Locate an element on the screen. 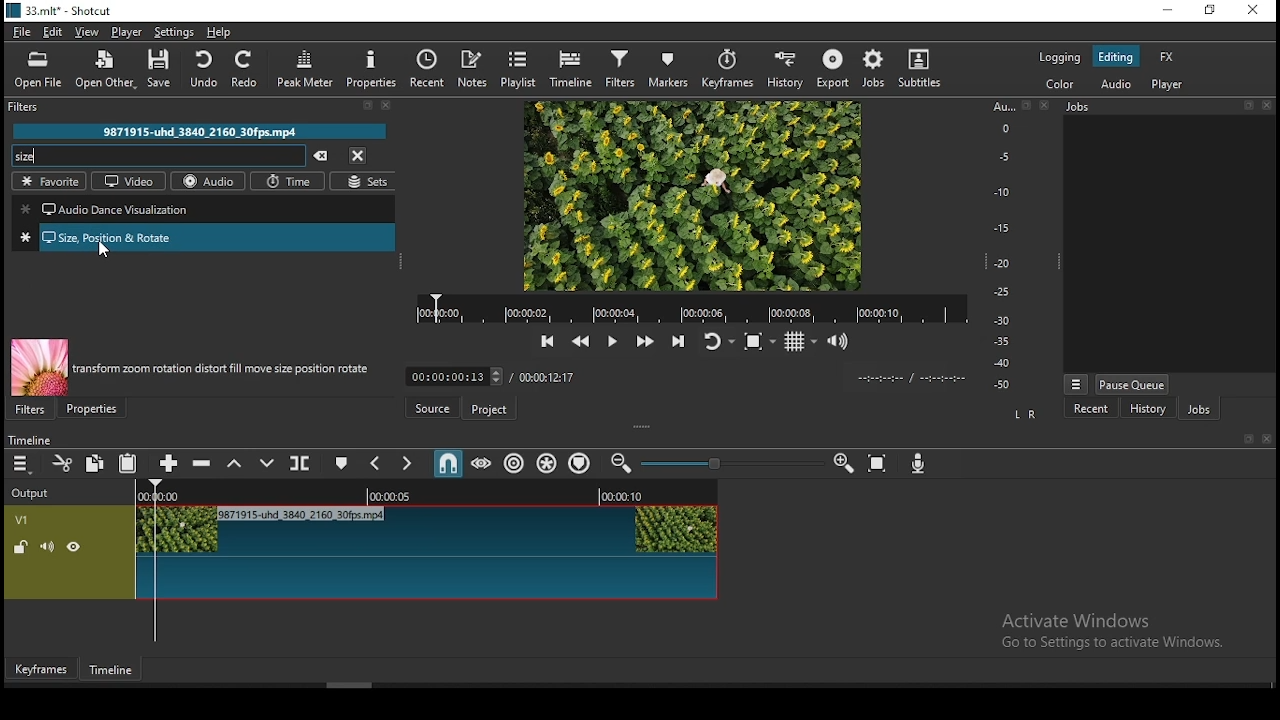 This screenshot has width=1280, height=720. sets is located at coordinates (363, 180).